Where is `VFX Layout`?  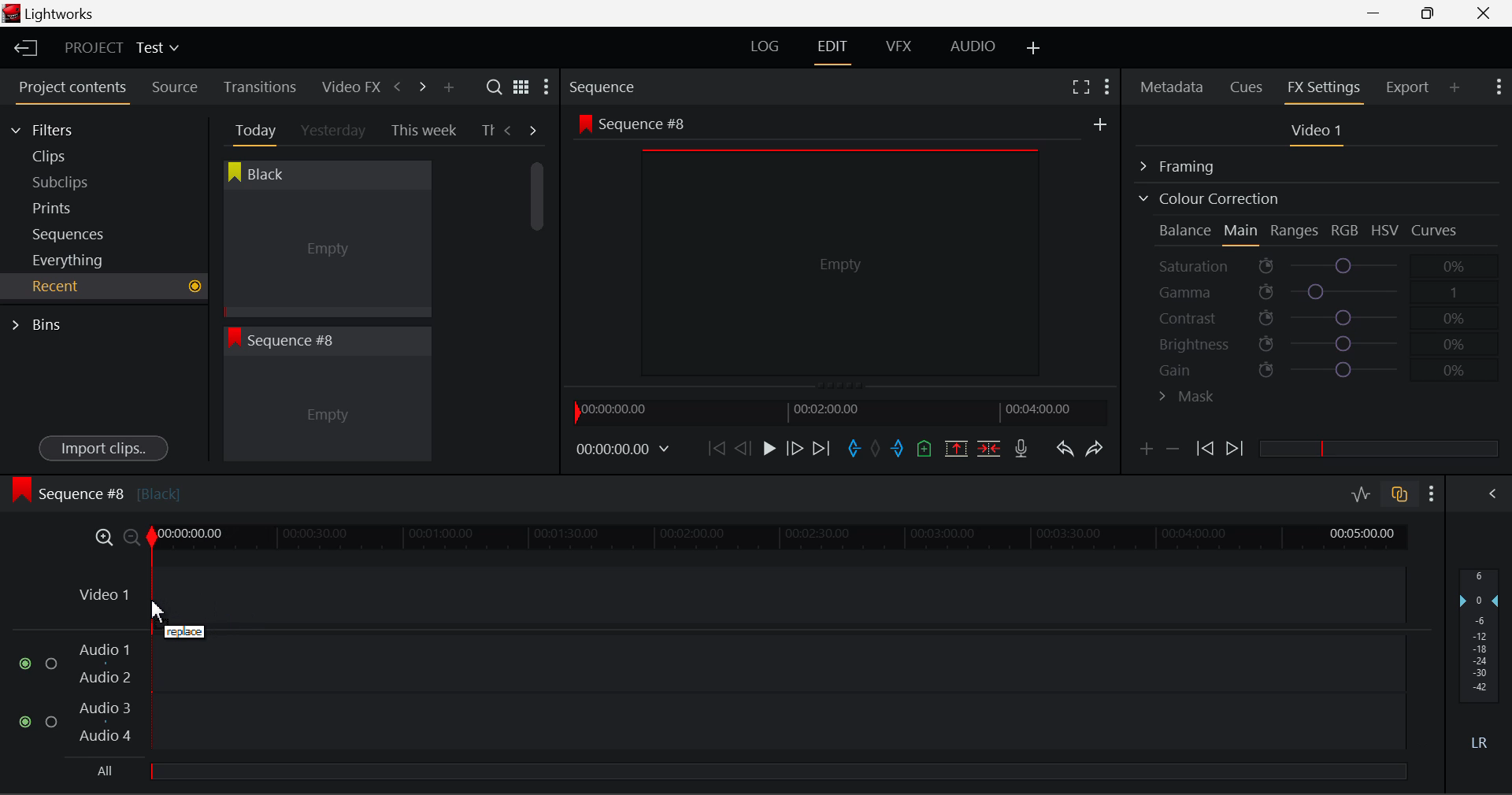 VFX Layout is located at coordinates (902, 48).